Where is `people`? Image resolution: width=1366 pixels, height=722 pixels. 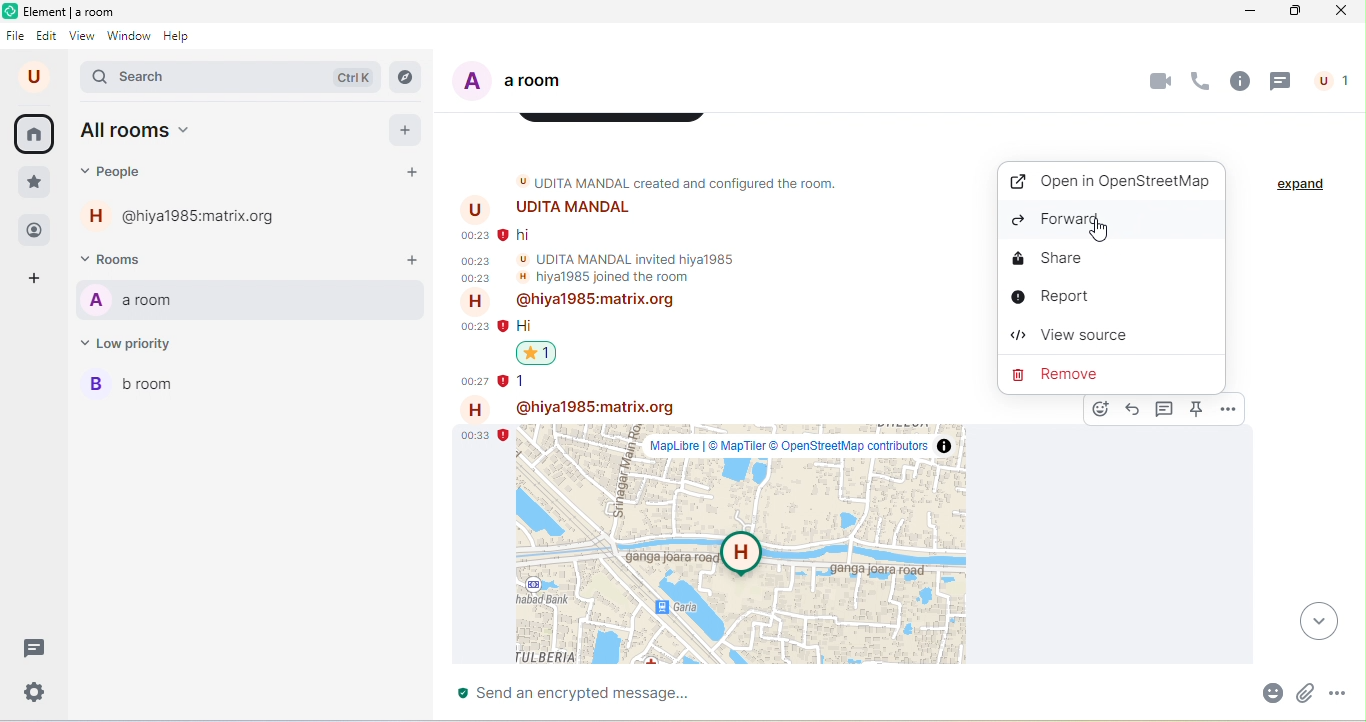 people is located at coordinates (120, 172).